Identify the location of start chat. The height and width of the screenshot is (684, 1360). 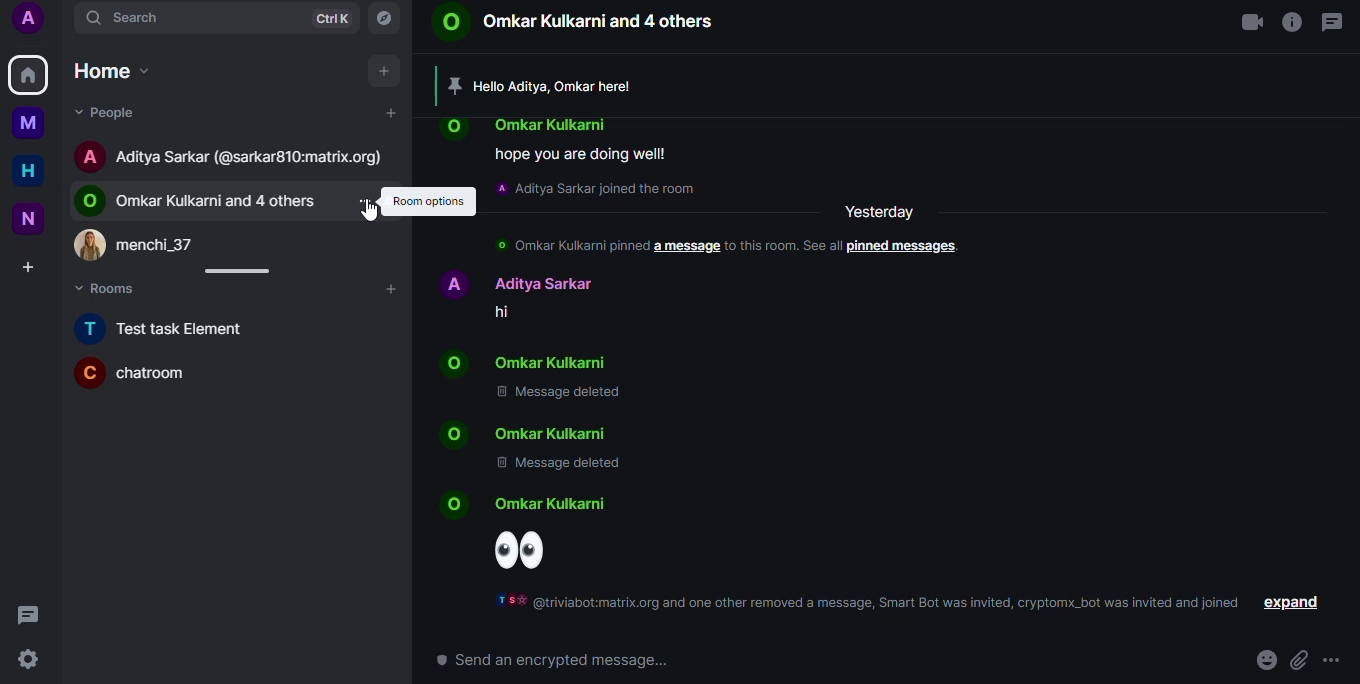
(396, 113).